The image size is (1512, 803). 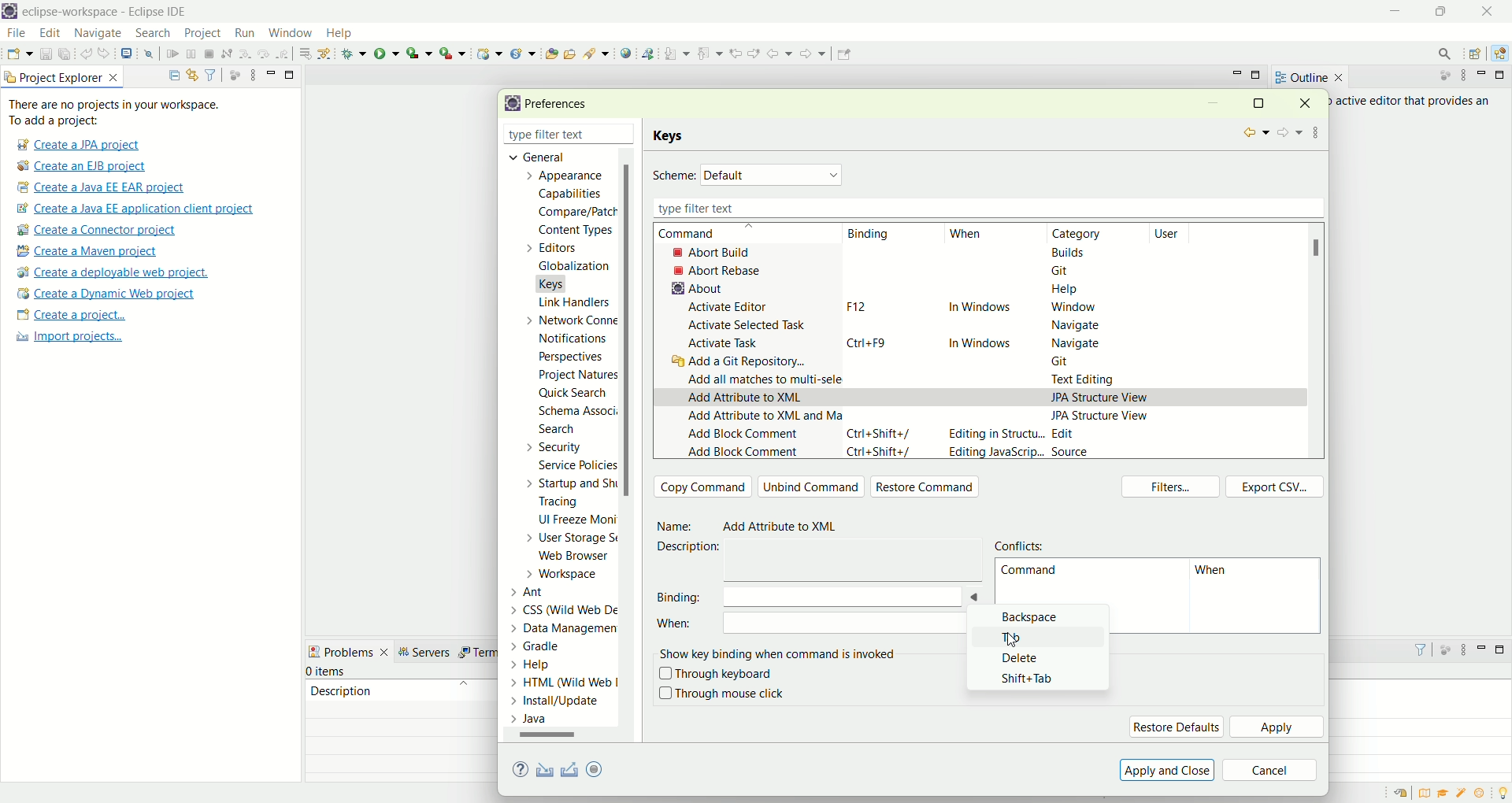 I want to click on terminate, so click(x=209, y=55).